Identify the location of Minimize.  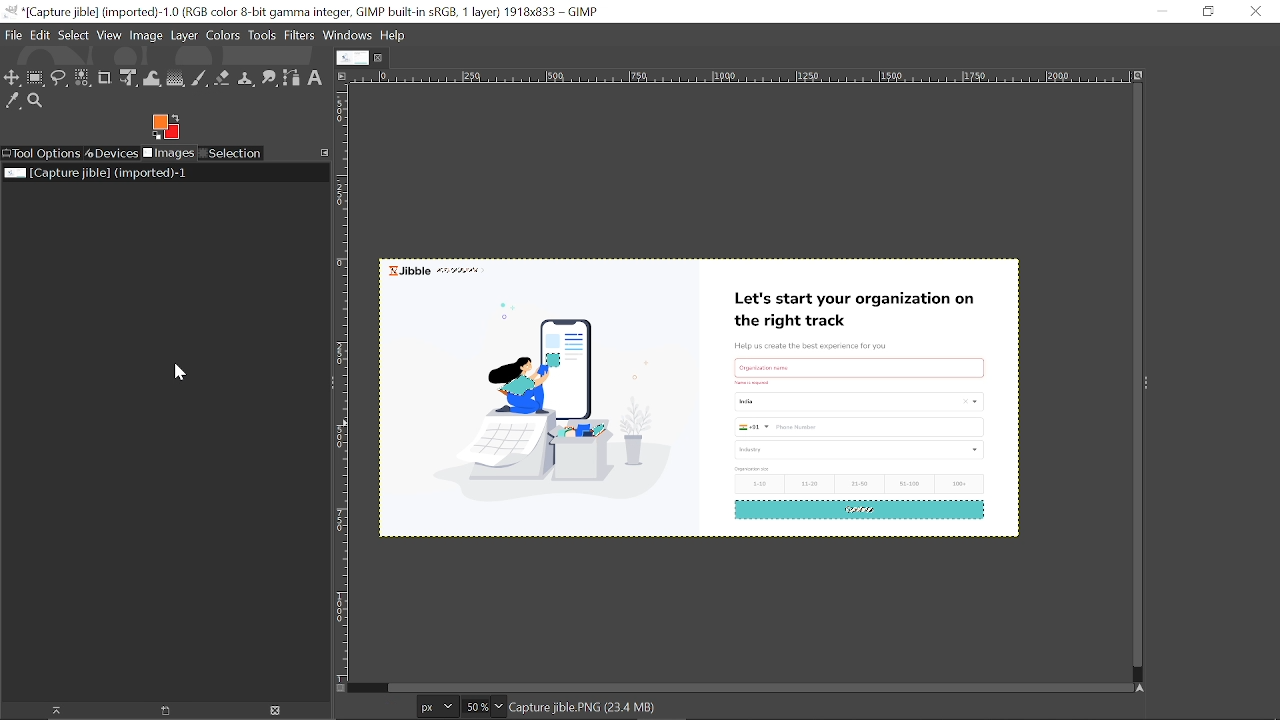
(1158, 10).